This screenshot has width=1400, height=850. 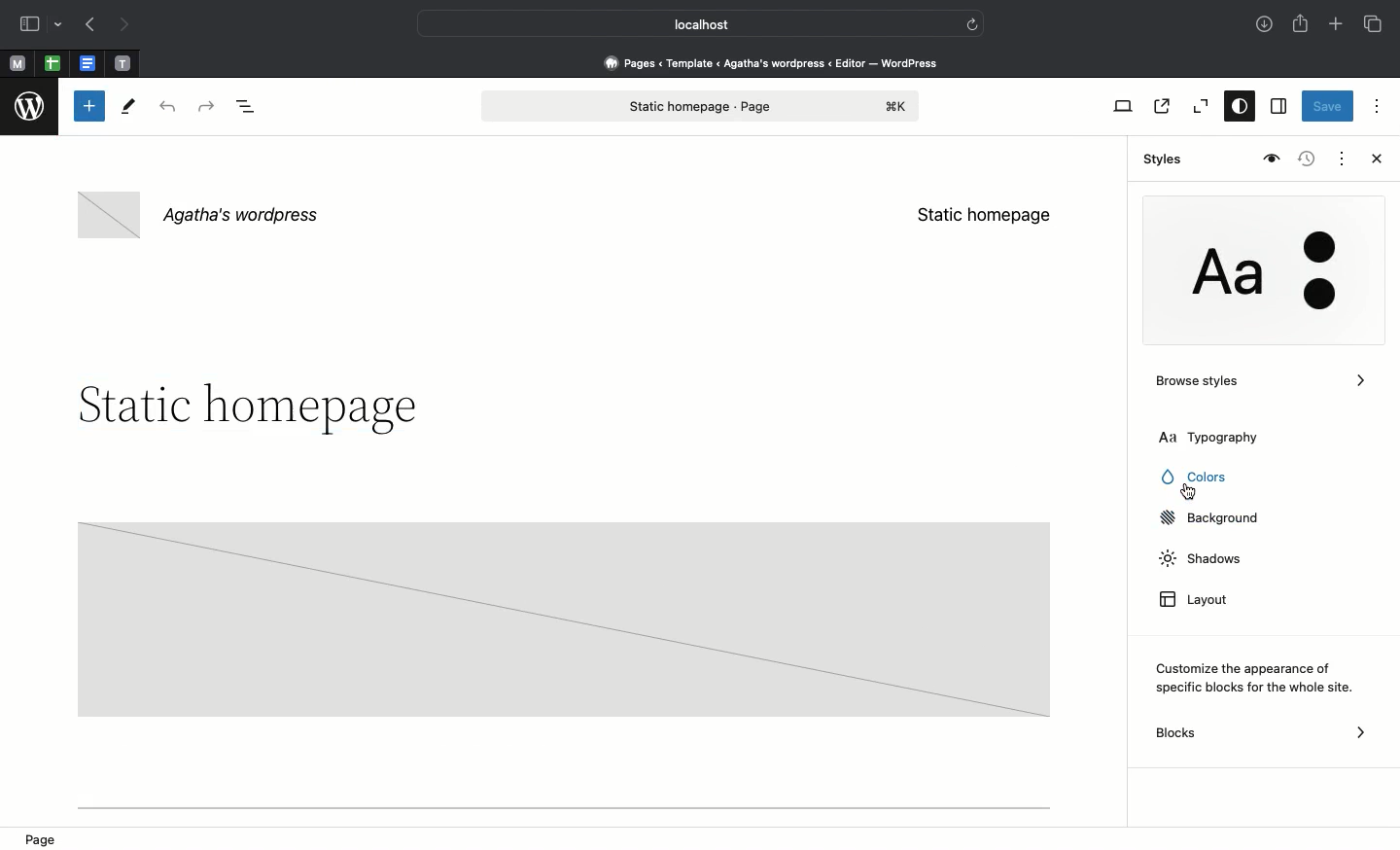 I want to click on Pinned tab, so click(x=52, y=64).